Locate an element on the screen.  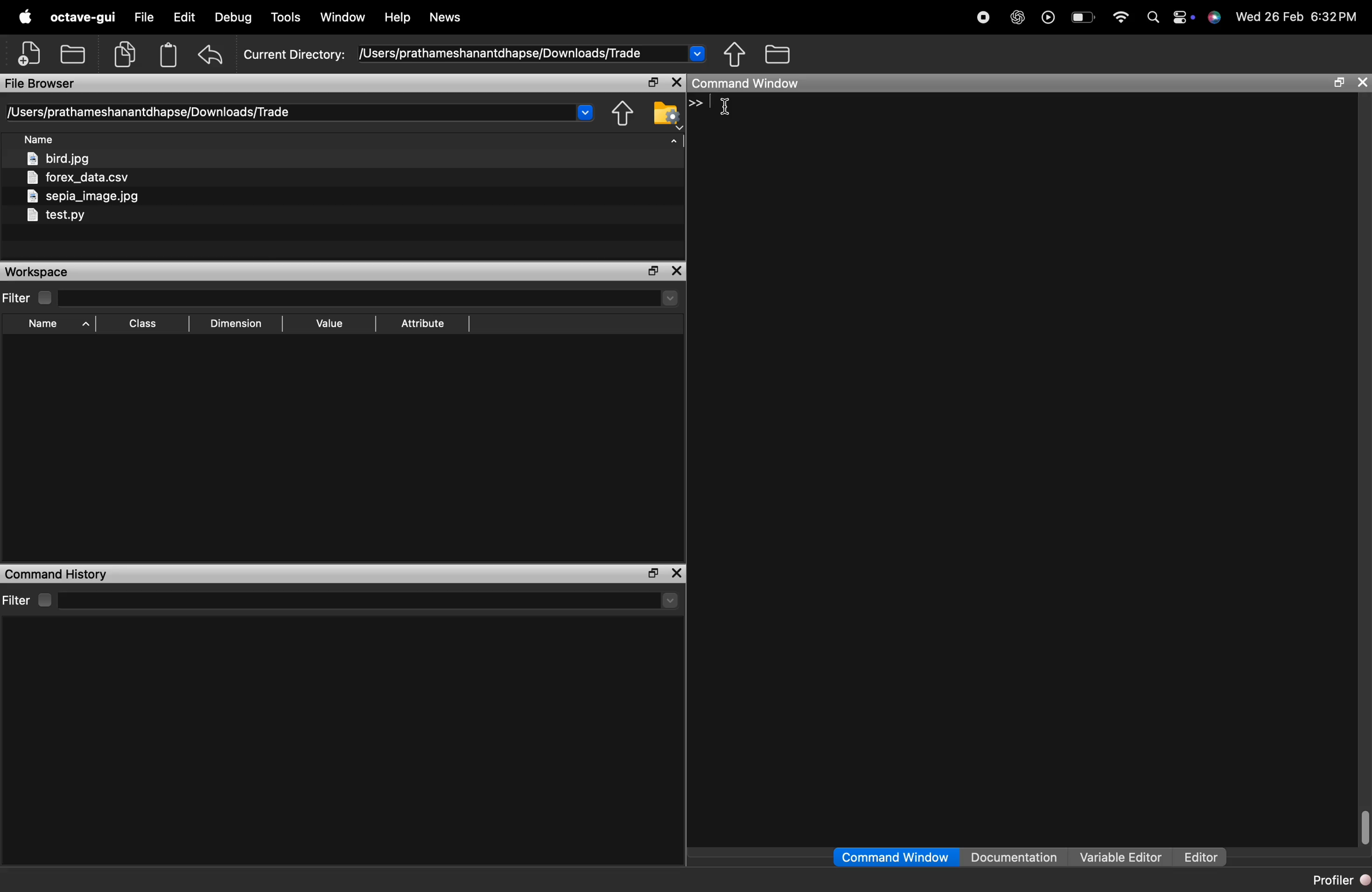
current directory is located at coordinates (301, 112).